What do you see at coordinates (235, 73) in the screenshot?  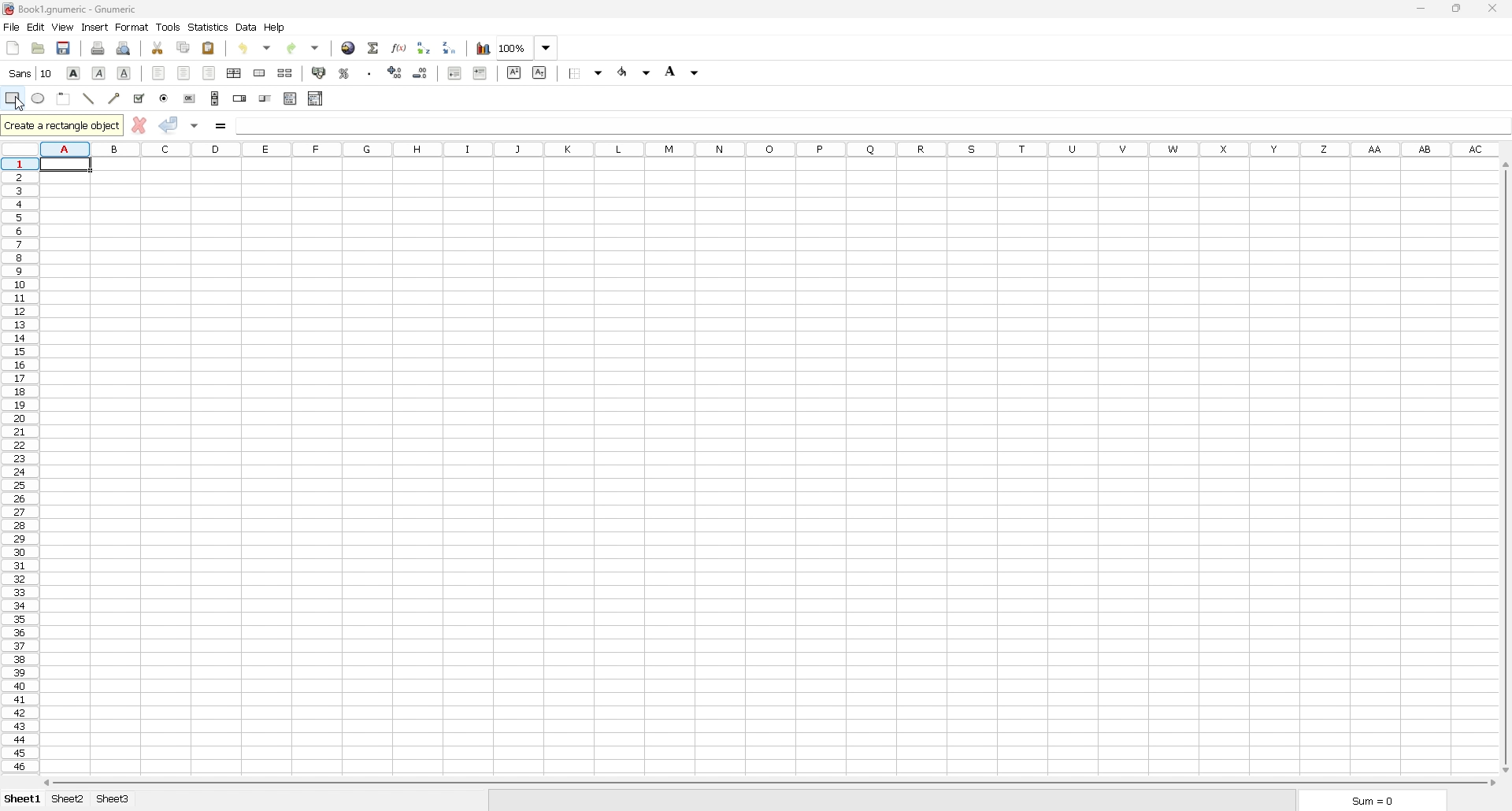 I see `centre horizontally` at bounding box center [235, 73].